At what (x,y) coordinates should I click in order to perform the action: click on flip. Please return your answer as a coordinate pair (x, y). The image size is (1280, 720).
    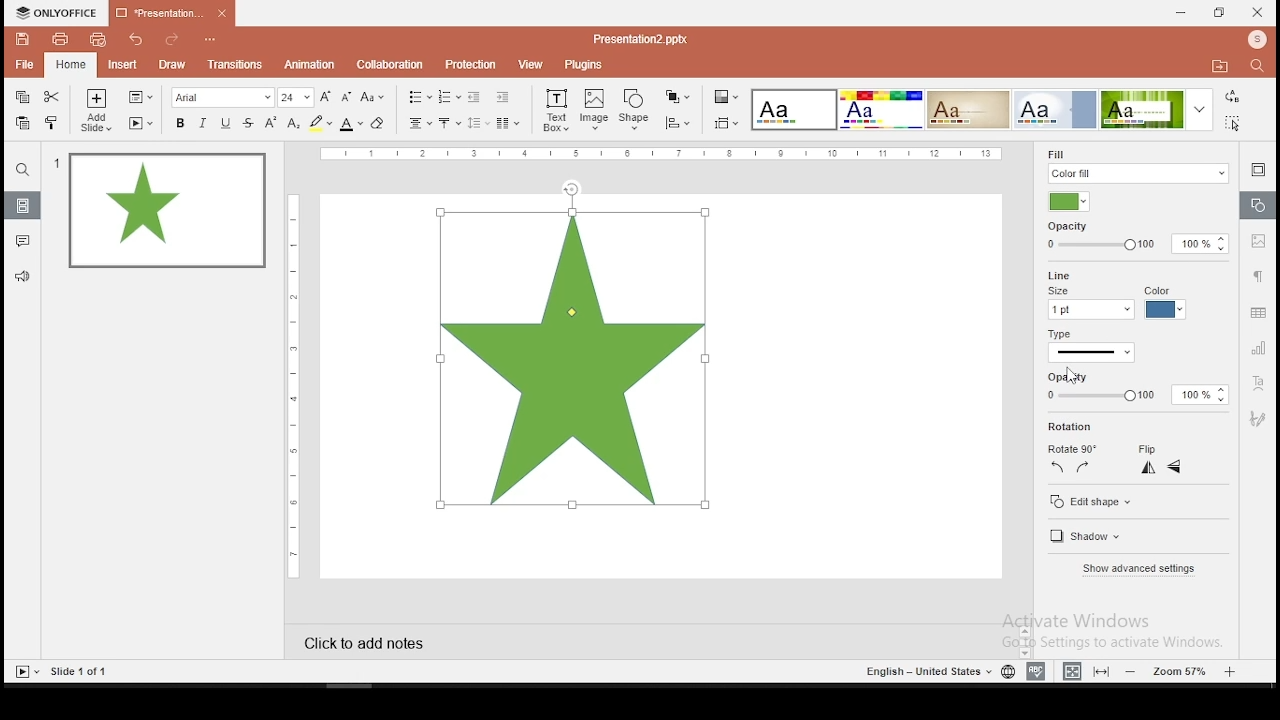
    Looking at the image, I should click on (1151, 449).